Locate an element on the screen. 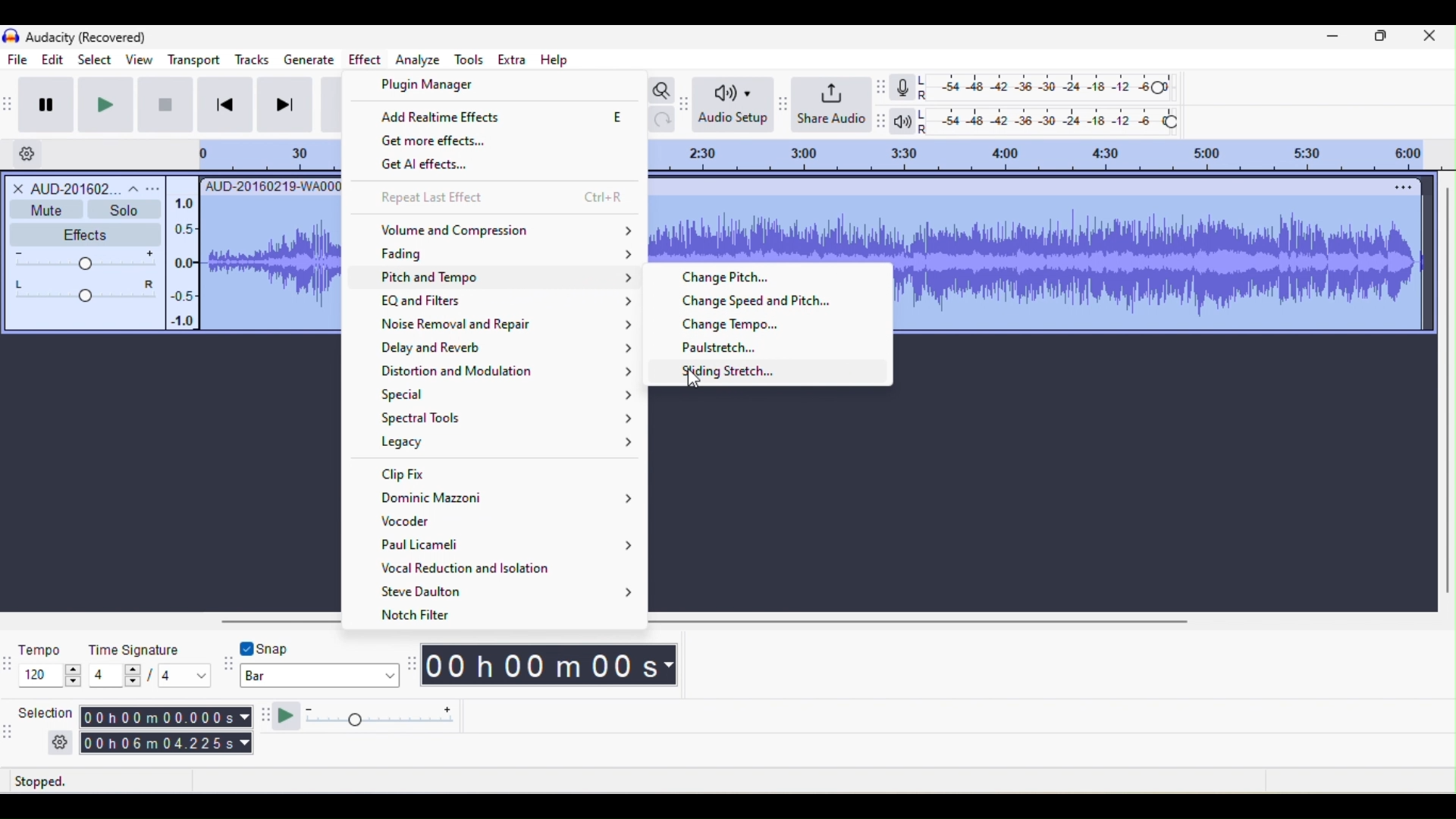 This screenshot has width=1456, height=819. audacity selection toolbar is located at coordinates (9, 730).